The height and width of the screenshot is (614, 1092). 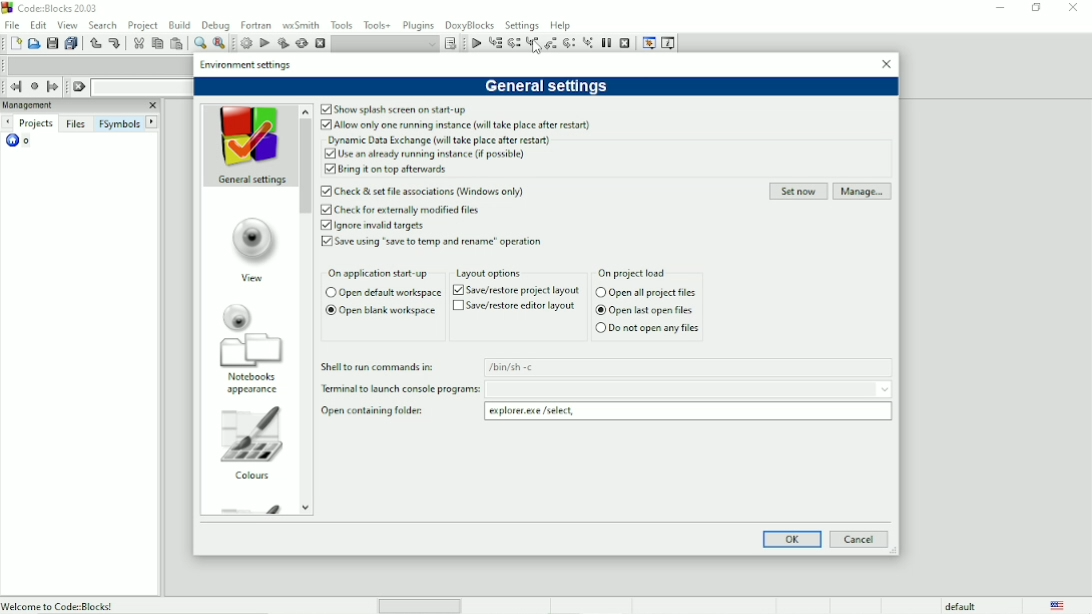 I want to click on Open blank workspace, so click(x=380, y=310).